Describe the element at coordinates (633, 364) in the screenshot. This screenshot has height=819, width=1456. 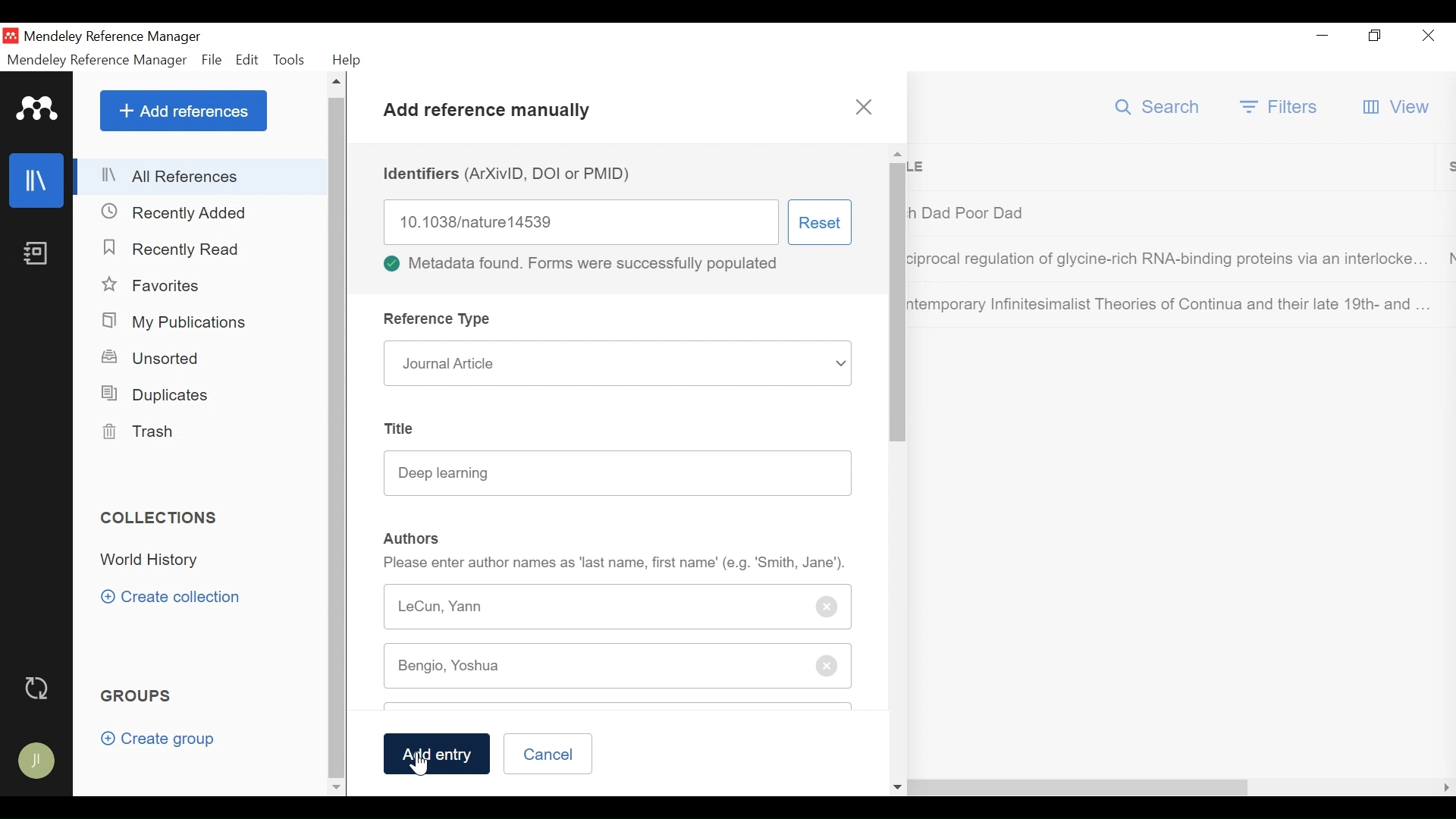
I see `Journal Article` at that location.